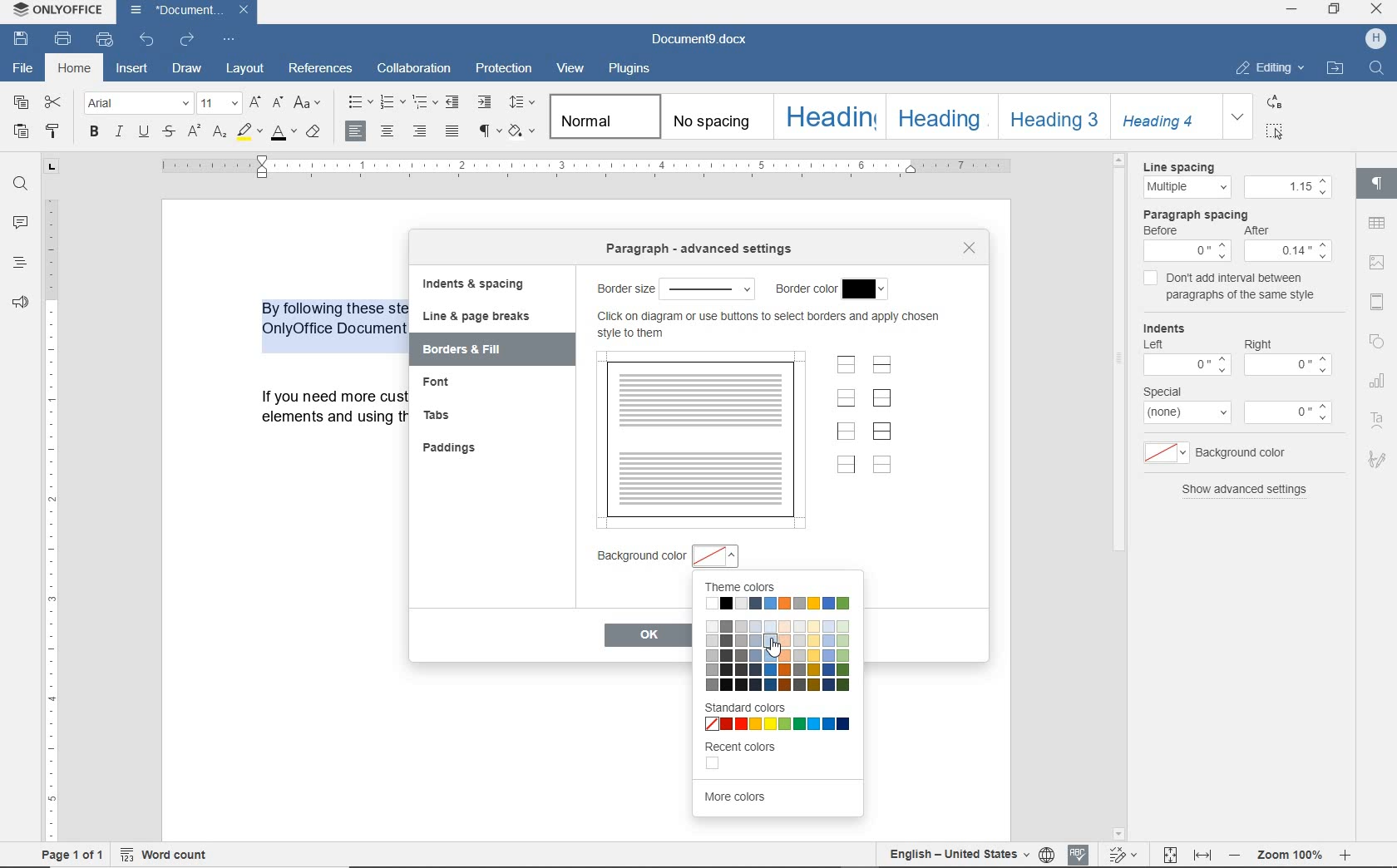 The image size is (1397, 868). Describe the element at coordinates (708, 287) in the screenshot. I see `select` at that location.